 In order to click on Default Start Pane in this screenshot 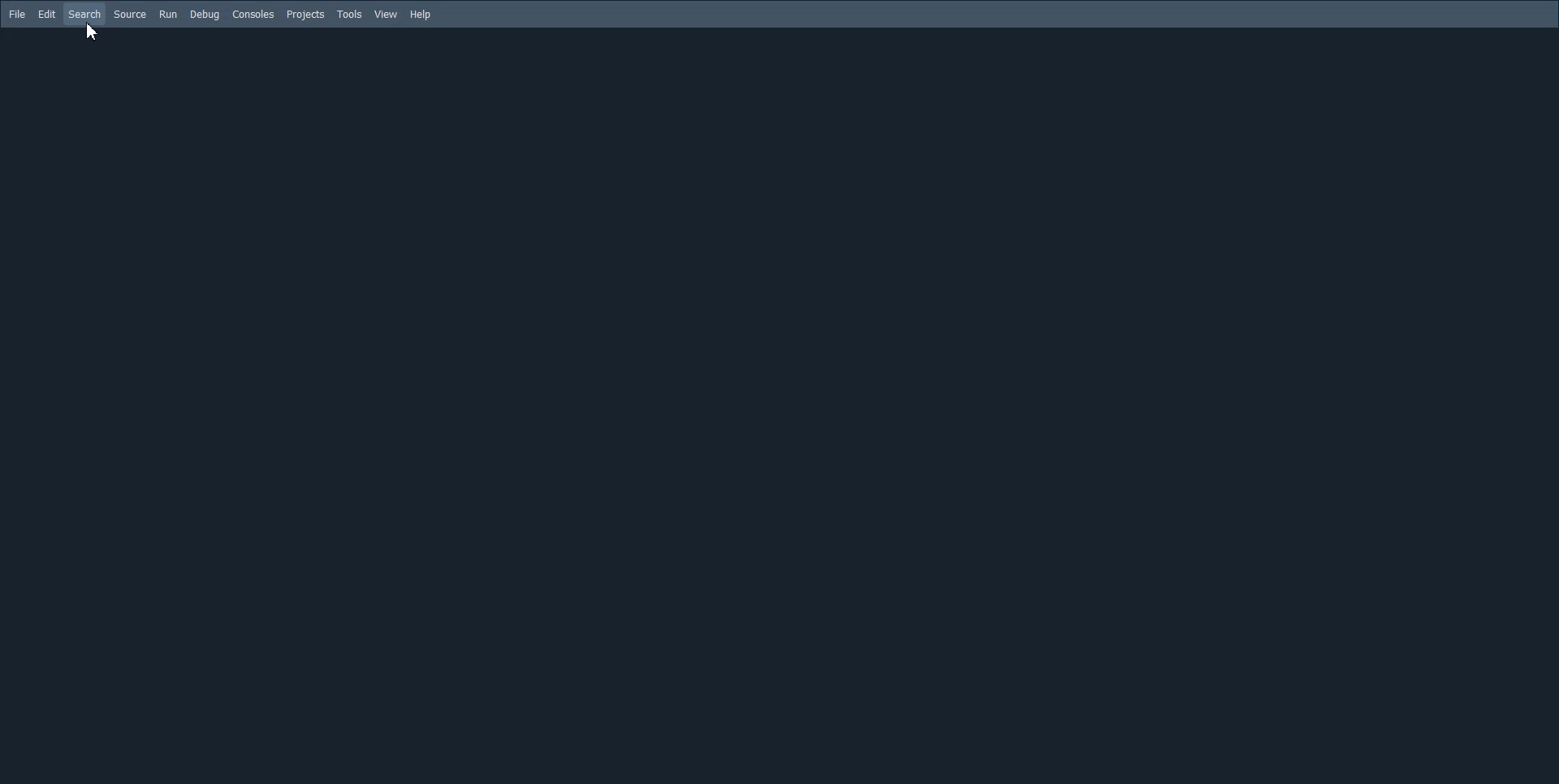, I will do `click(777, 403)`.